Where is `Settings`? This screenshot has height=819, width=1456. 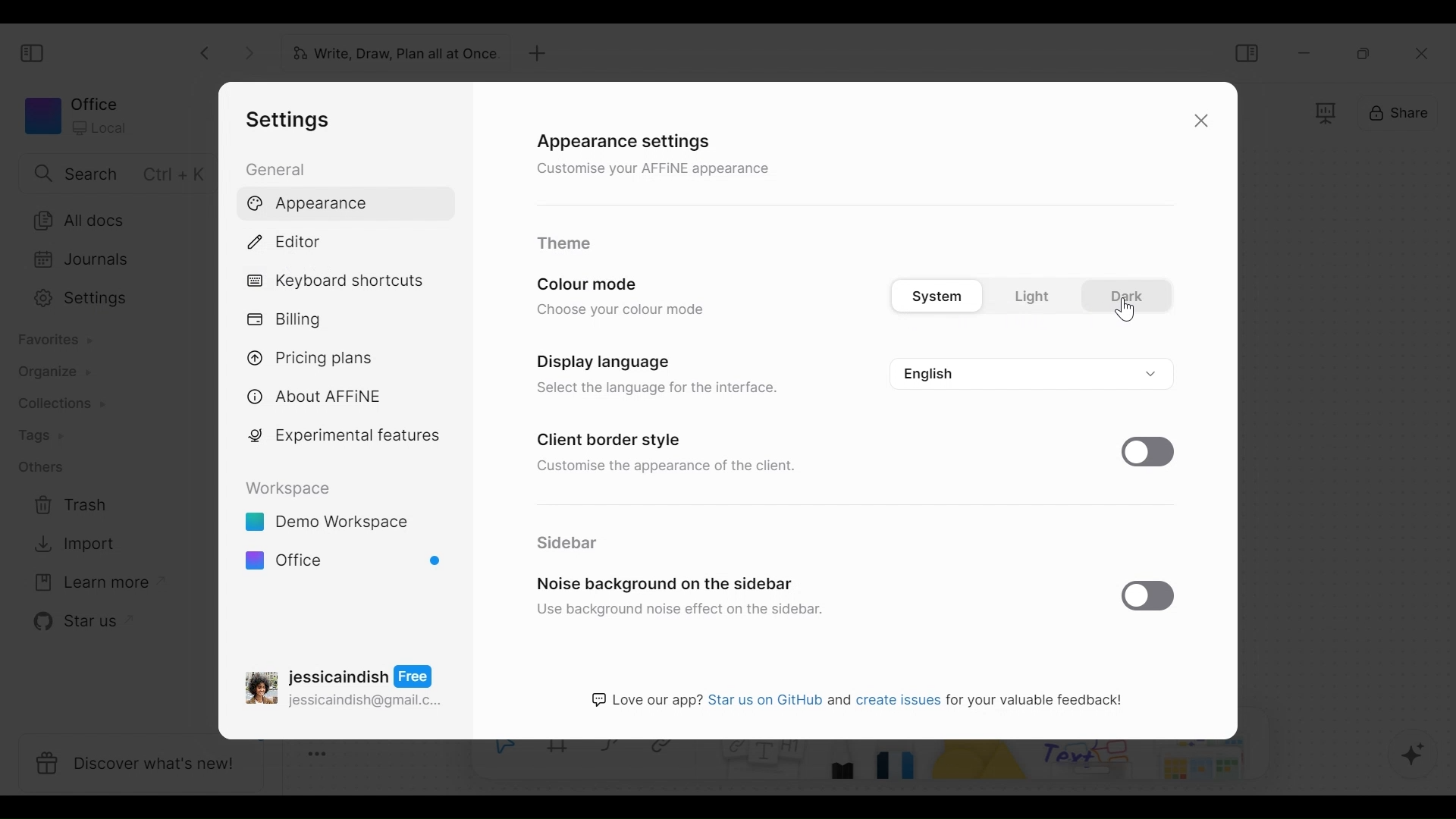
Settings is located at coordinates (74, 300).